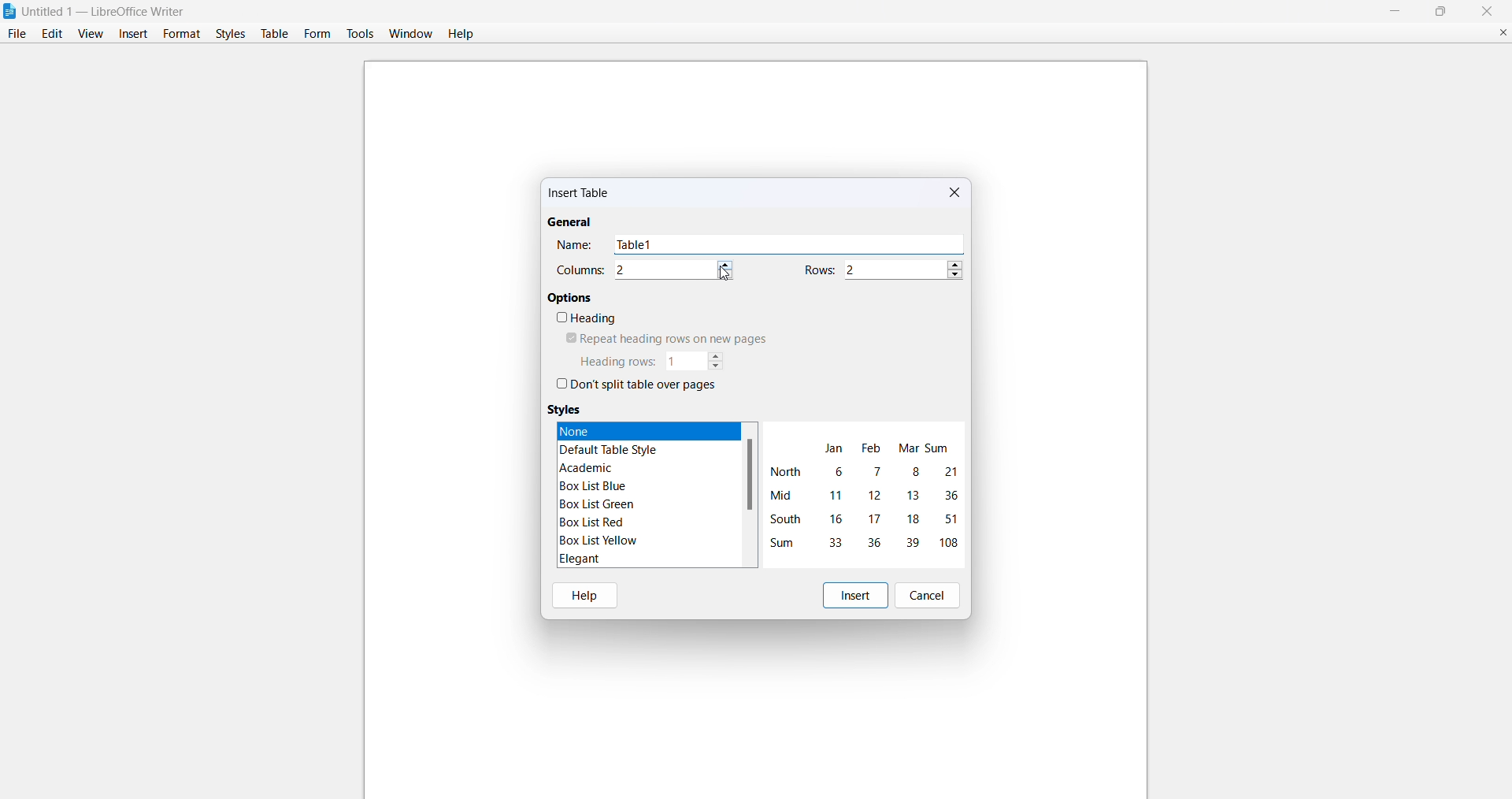  What do you see at coordinates (893, 269) in the screenshot?
I see `number of rows 2` at bounding box center [893, 269].